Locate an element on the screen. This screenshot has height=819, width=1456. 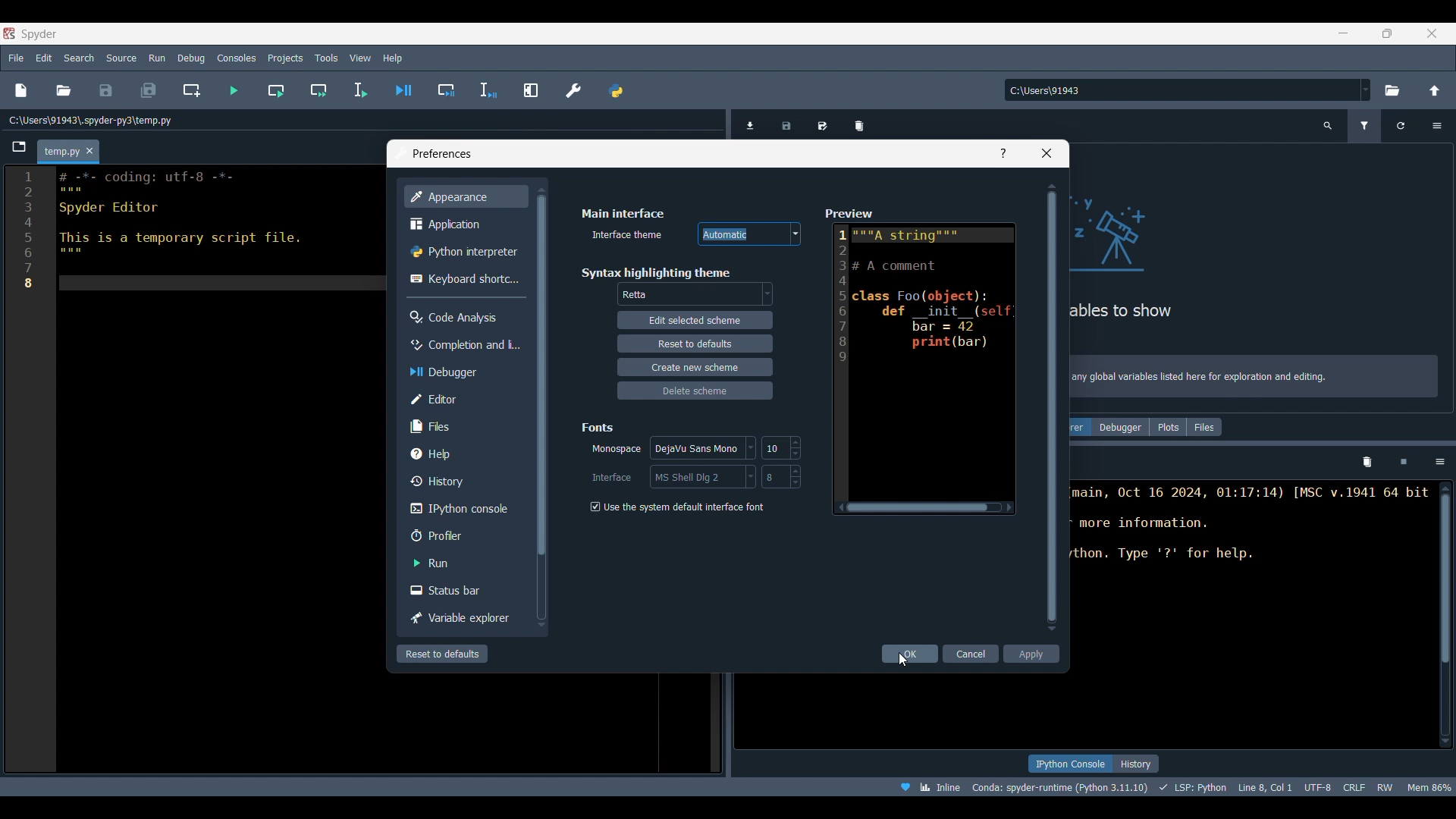
Debugger is located at coordinates (463, 372).